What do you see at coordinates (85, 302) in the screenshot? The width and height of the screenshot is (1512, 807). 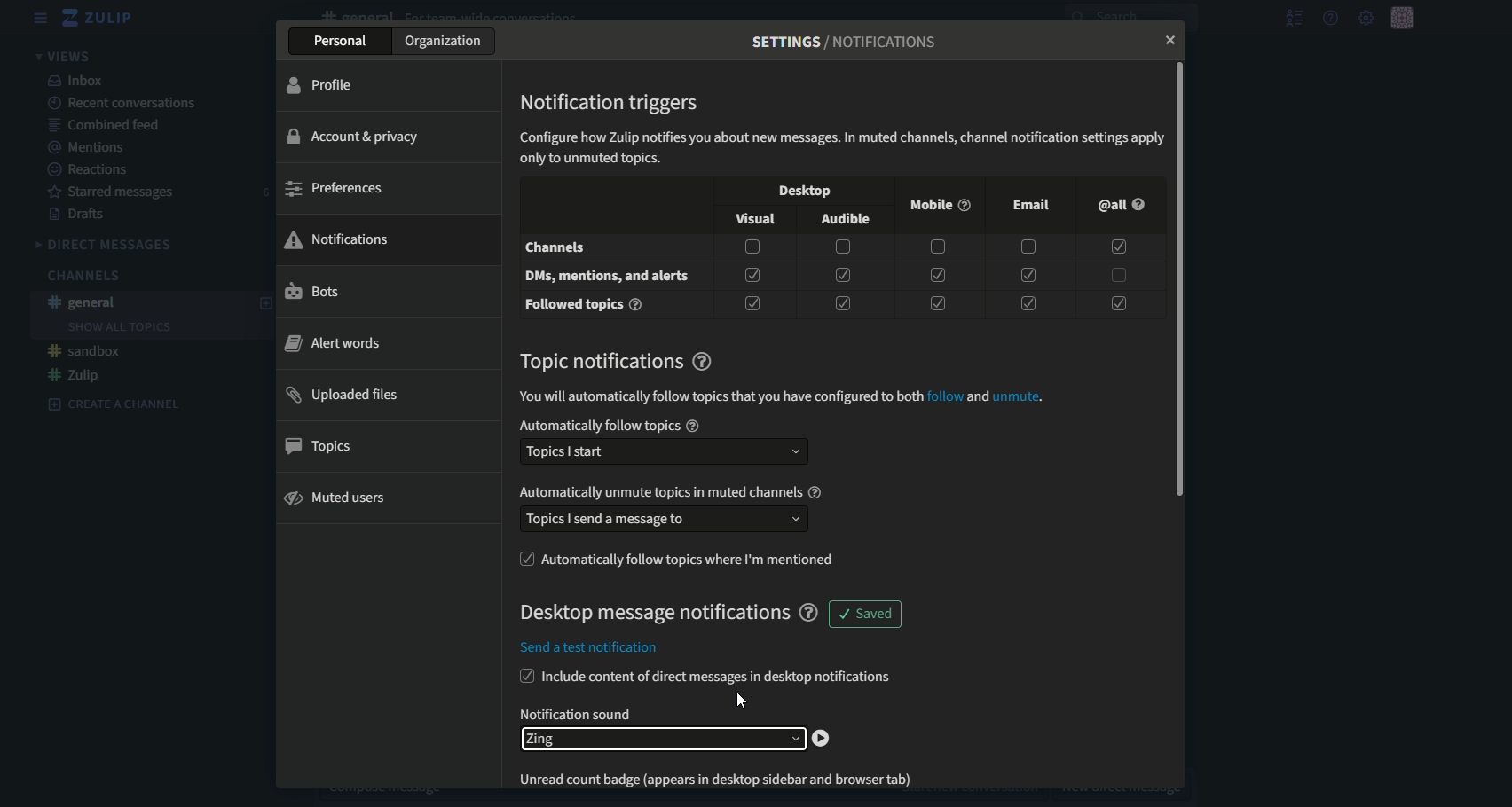 I see `#general` at bounding box center [85, 302].